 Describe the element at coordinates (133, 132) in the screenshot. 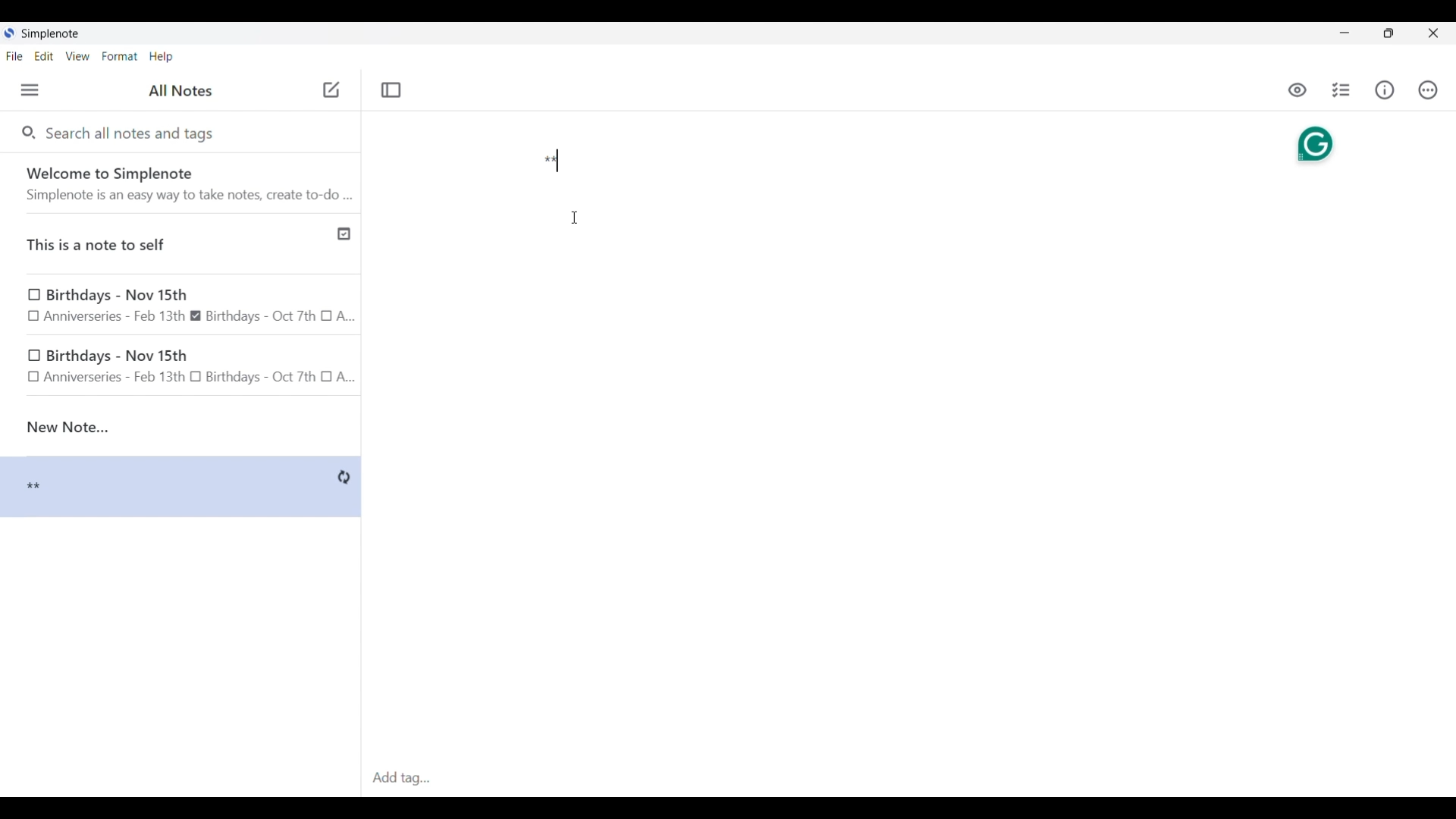

I see `Search all notes and tags` at that location.